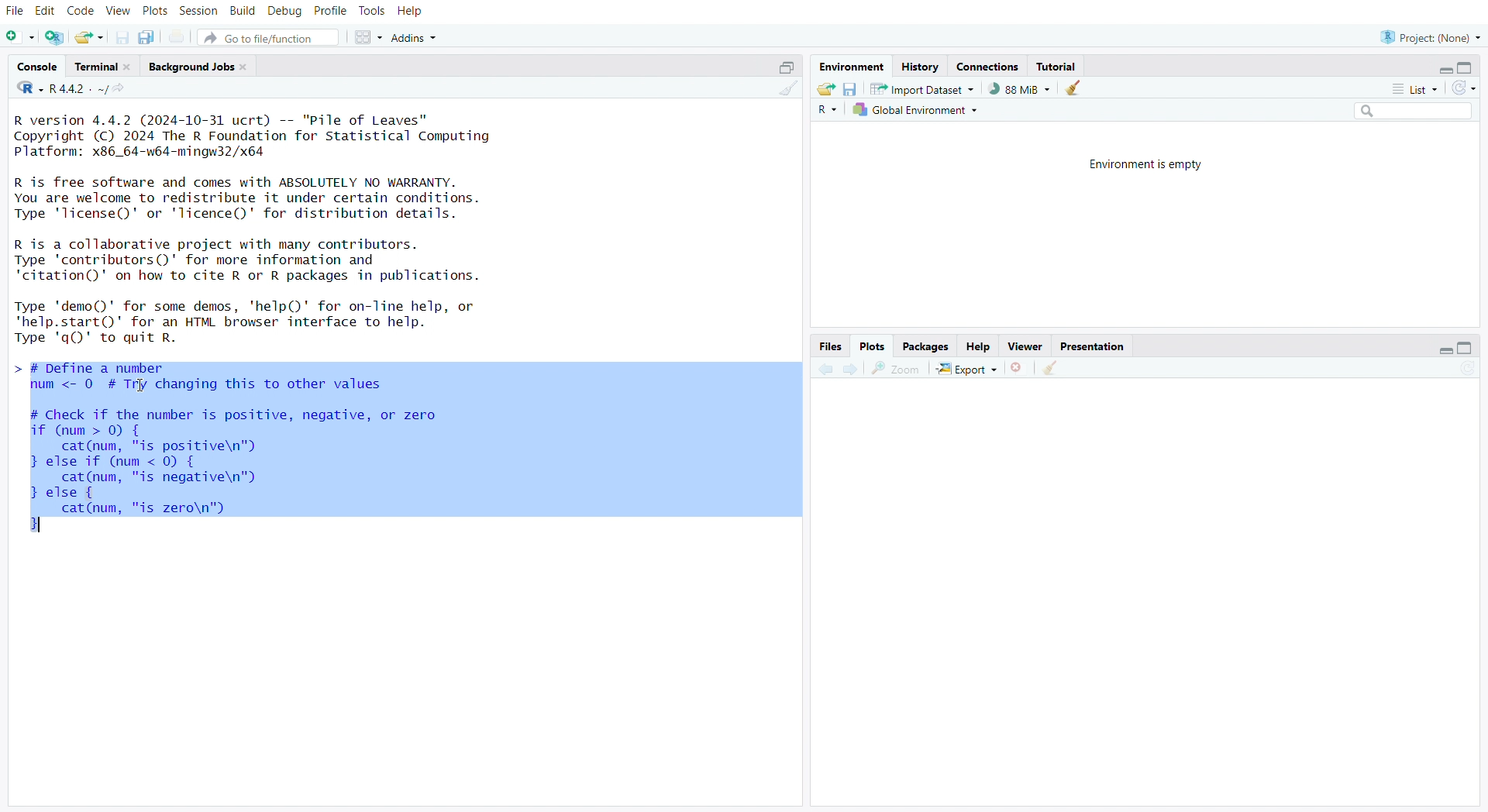 The height and width of the screenshot is (812, 1488). I want to click on addins, so click(418, 38).